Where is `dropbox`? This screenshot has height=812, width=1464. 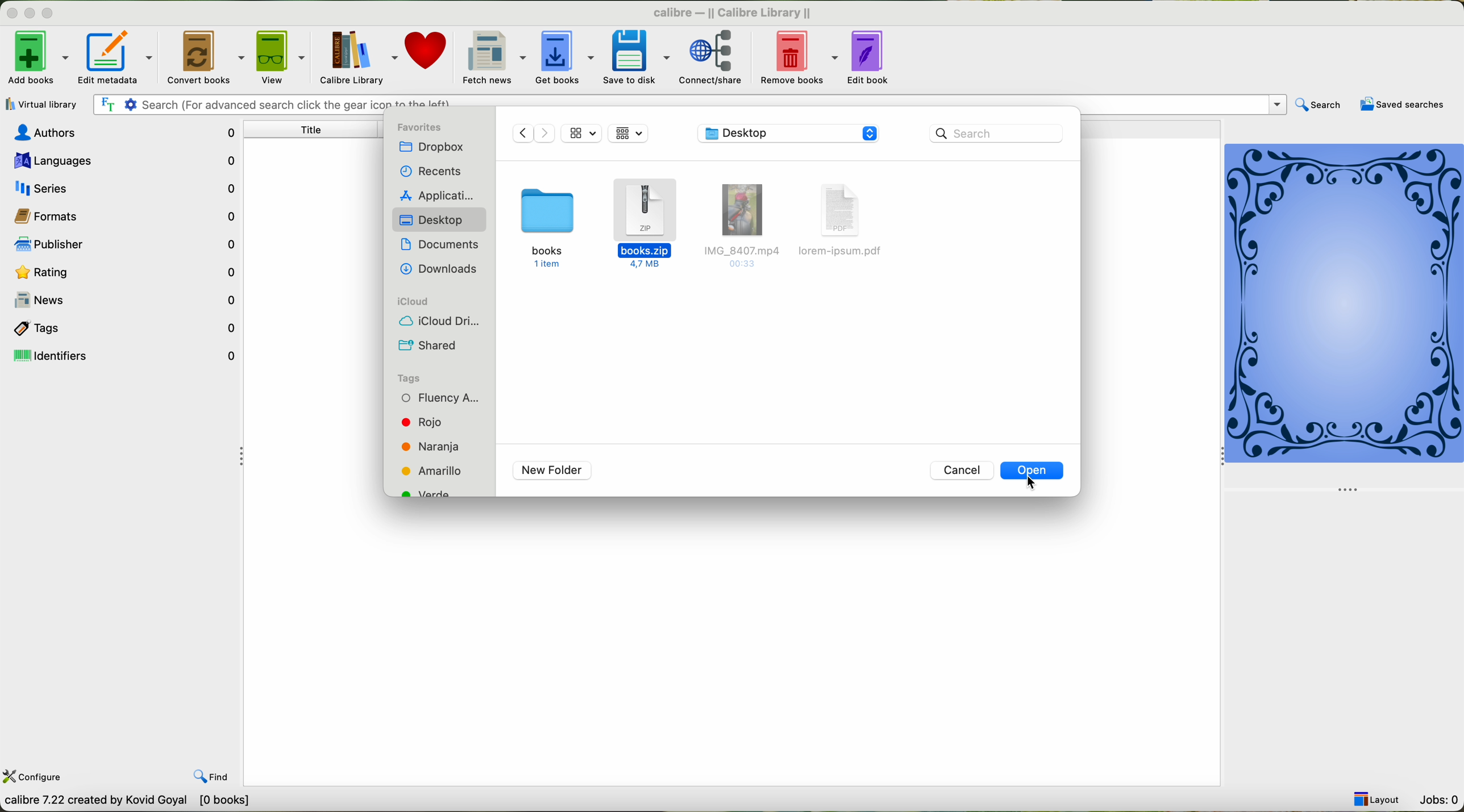 dropbox is located at coordinates (432, 146).